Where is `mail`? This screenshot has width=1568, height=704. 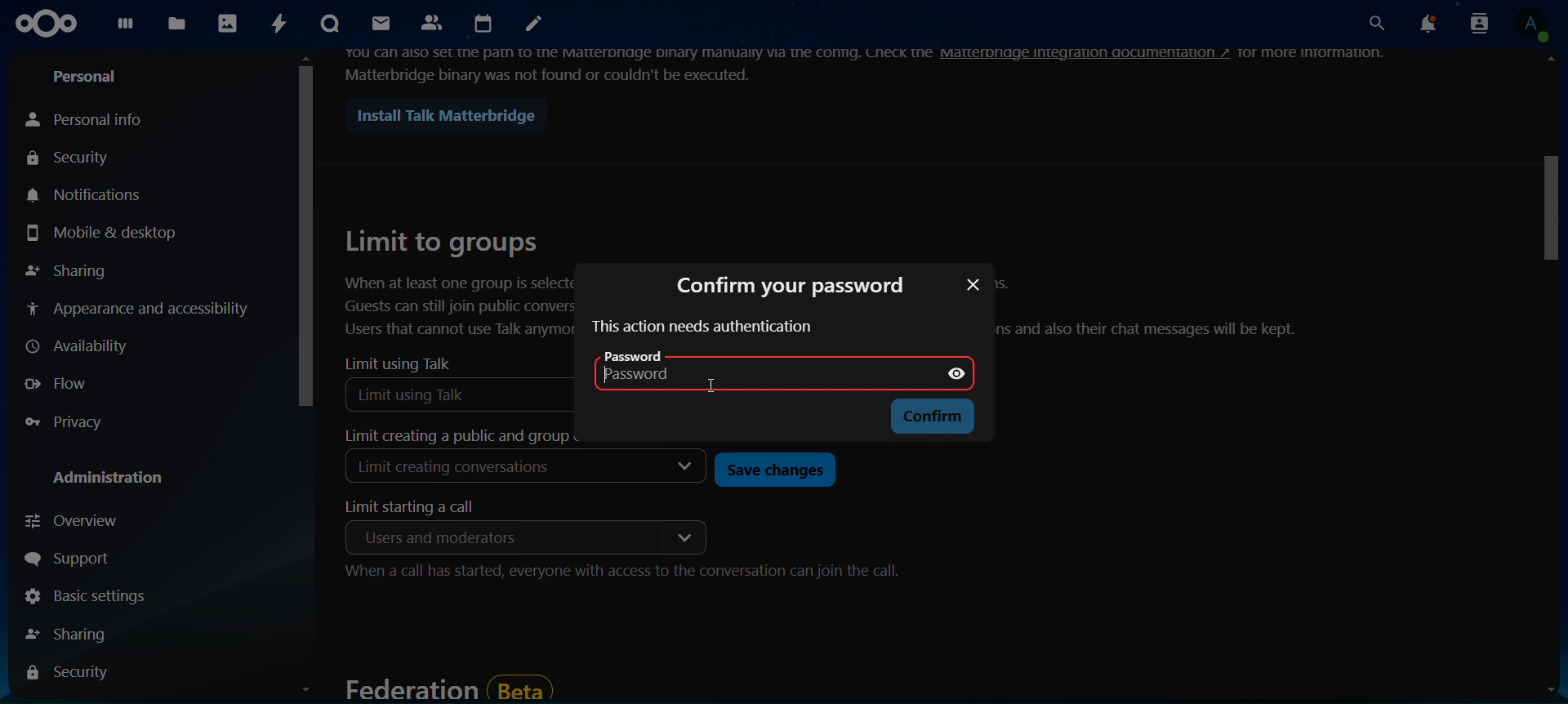
mail is located at coordinates (378, 23).